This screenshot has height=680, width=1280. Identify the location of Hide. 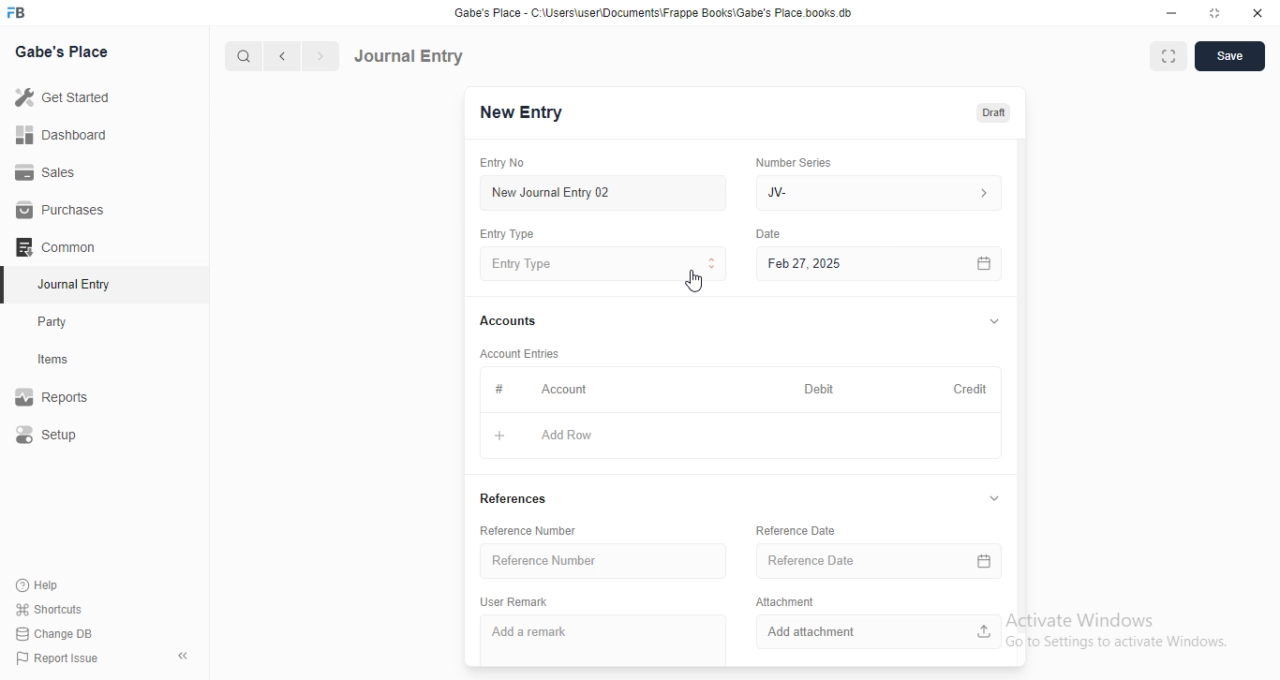
(995, 320).